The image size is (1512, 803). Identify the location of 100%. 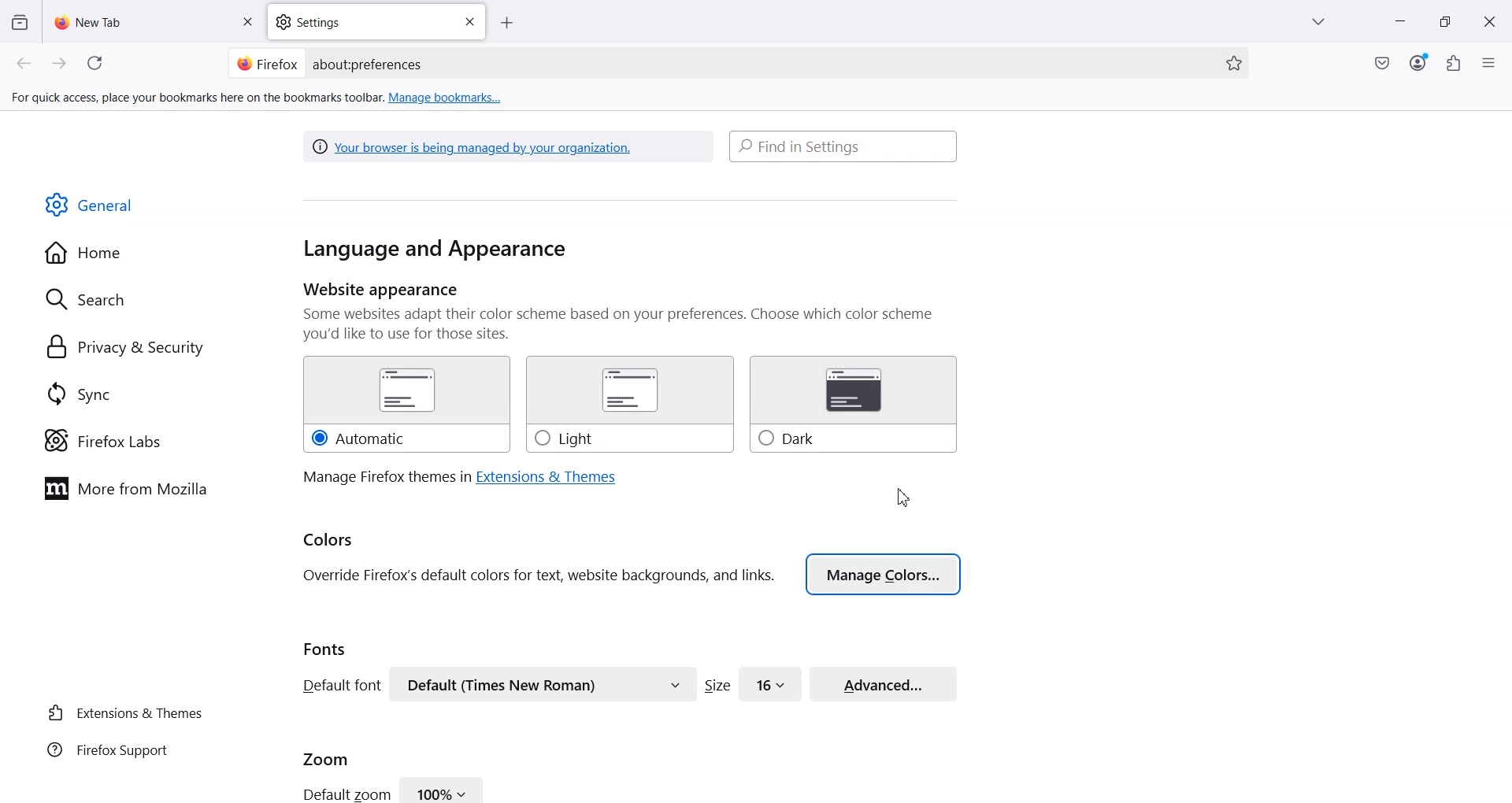
(443, 789).